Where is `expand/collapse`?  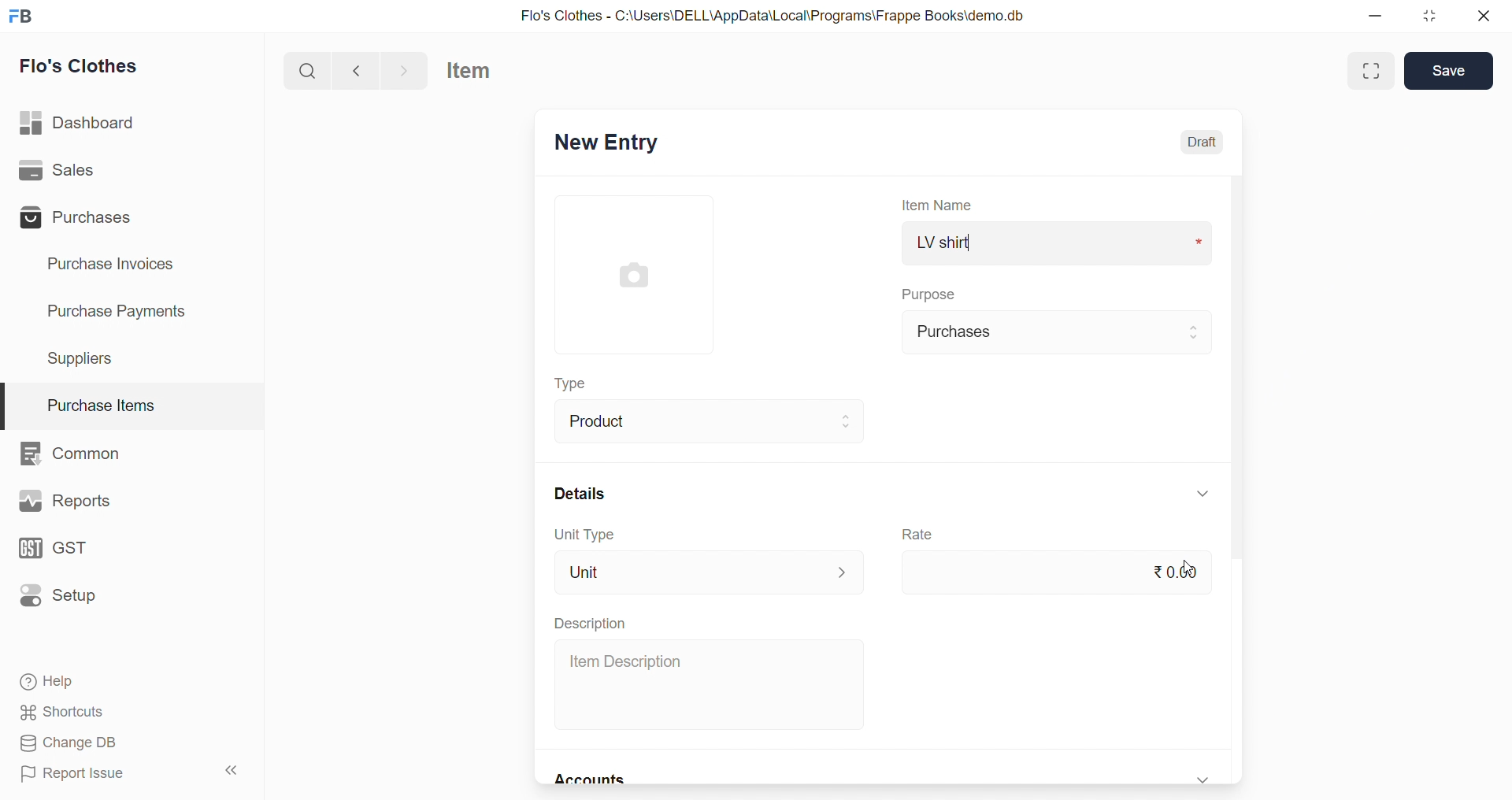 expand/collapse is located at coordinates (1203, 493).